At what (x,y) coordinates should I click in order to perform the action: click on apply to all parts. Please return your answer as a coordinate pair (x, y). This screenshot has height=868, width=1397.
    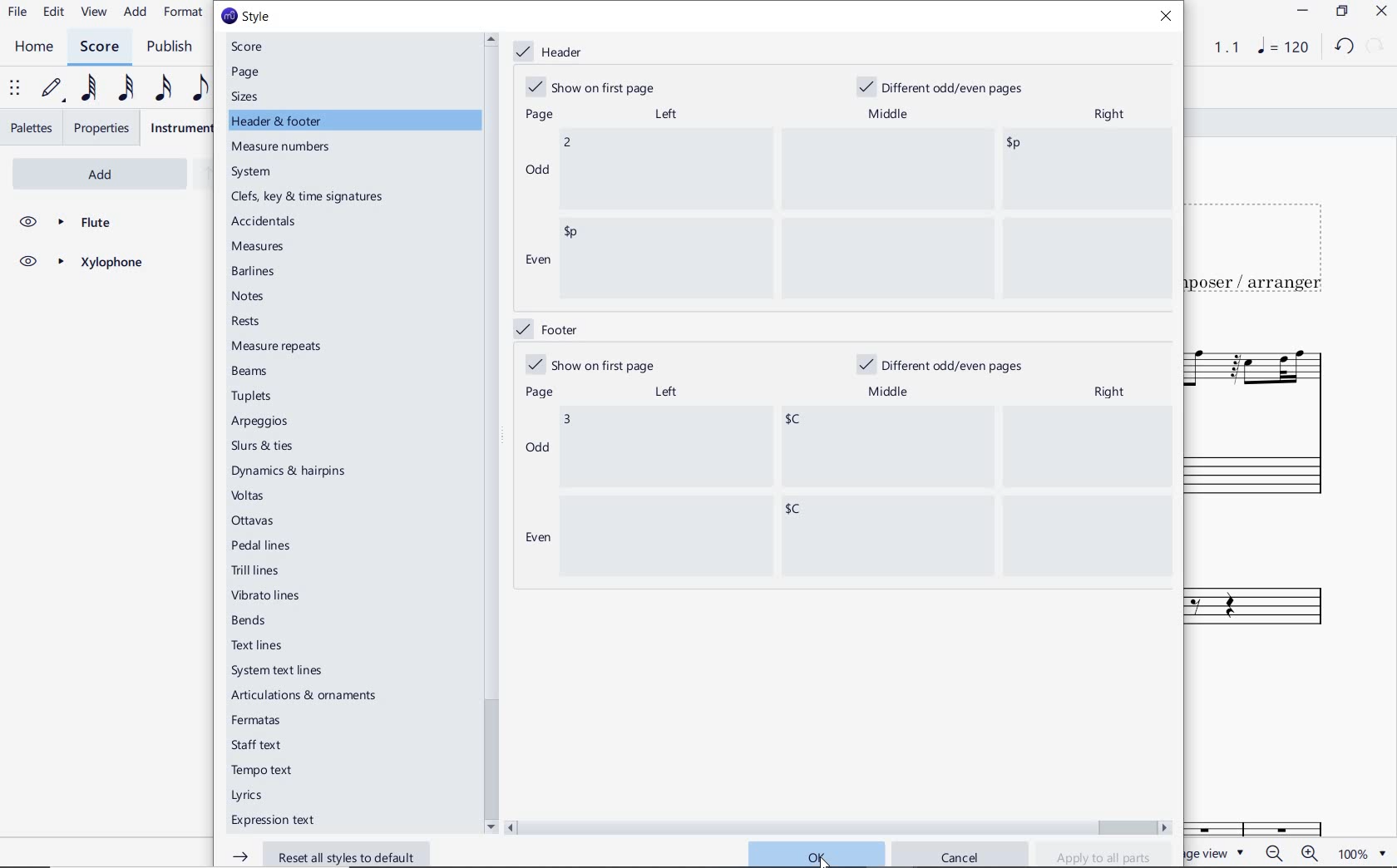
    Looking at the image, I should click on (1104, 856).